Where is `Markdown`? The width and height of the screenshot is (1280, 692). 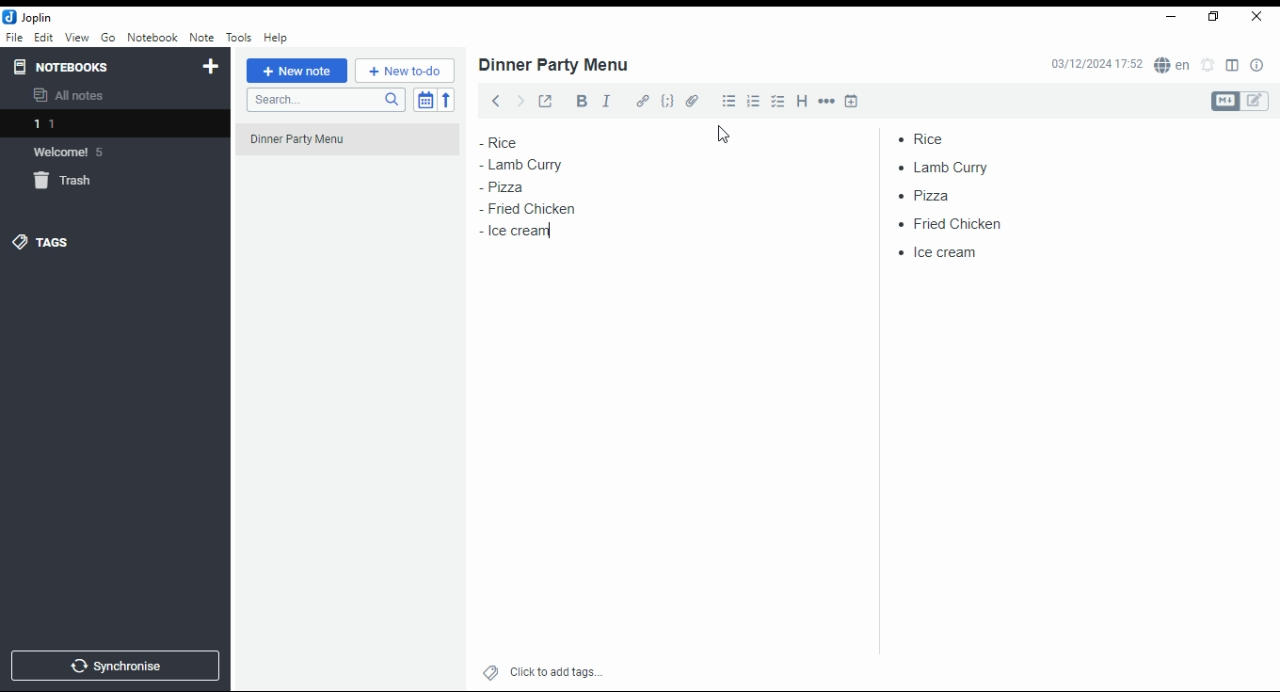
Markdown is located at coordinates (1224, 101).